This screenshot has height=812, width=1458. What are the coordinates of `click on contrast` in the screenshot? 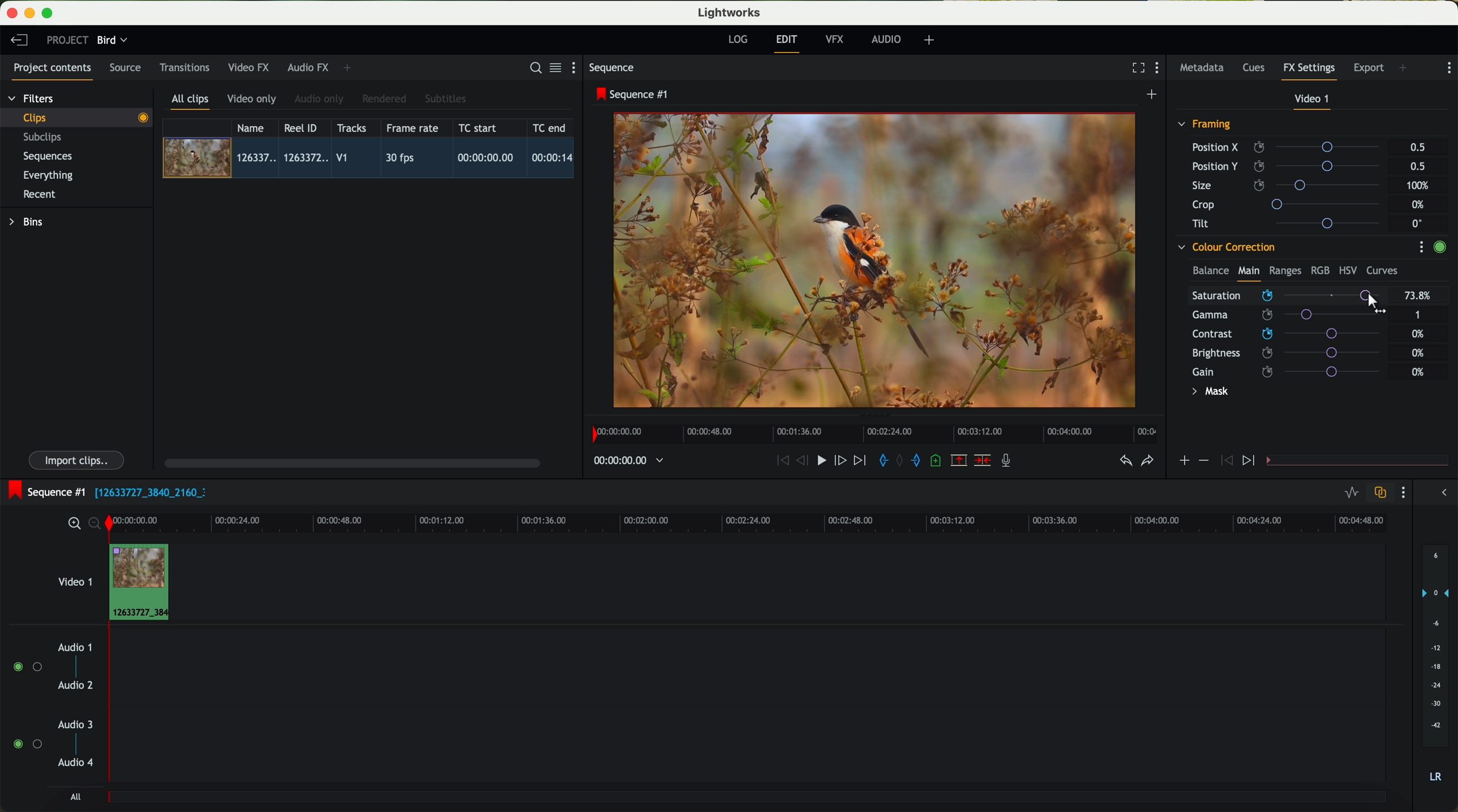 It's located at (1286, 335).